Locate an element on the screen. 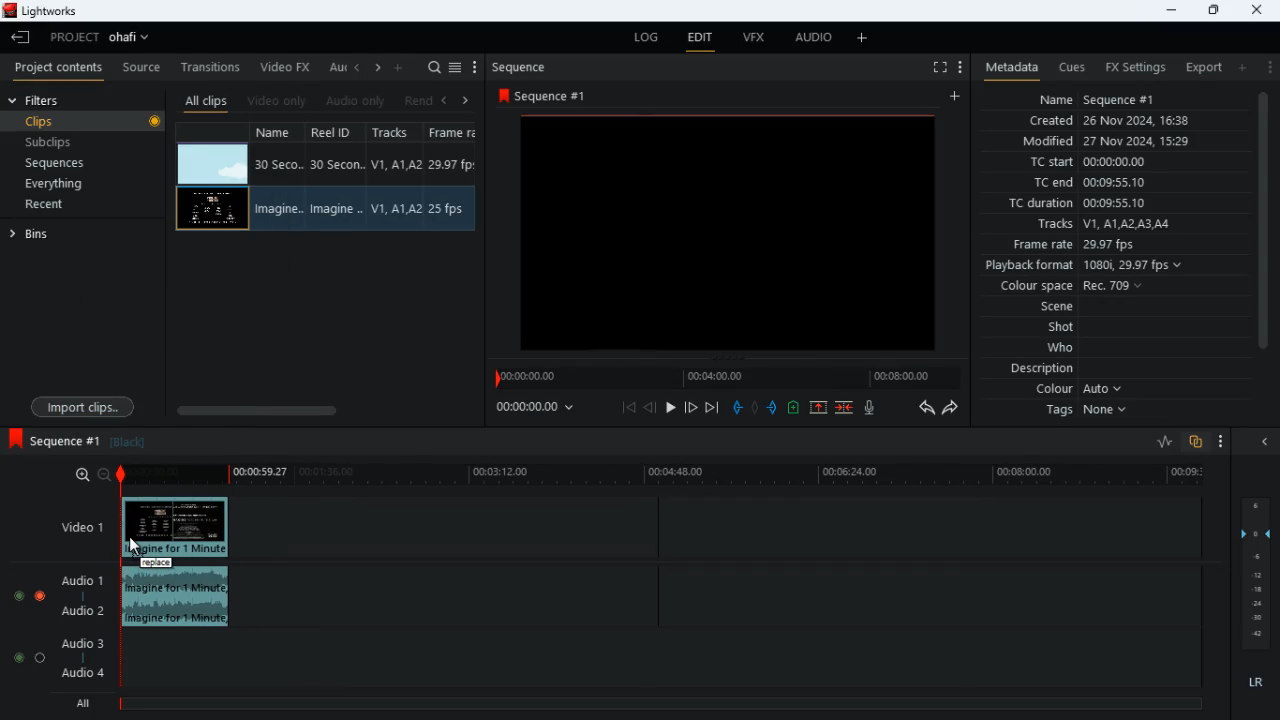  Toggle is located at coordinates (40, 593).